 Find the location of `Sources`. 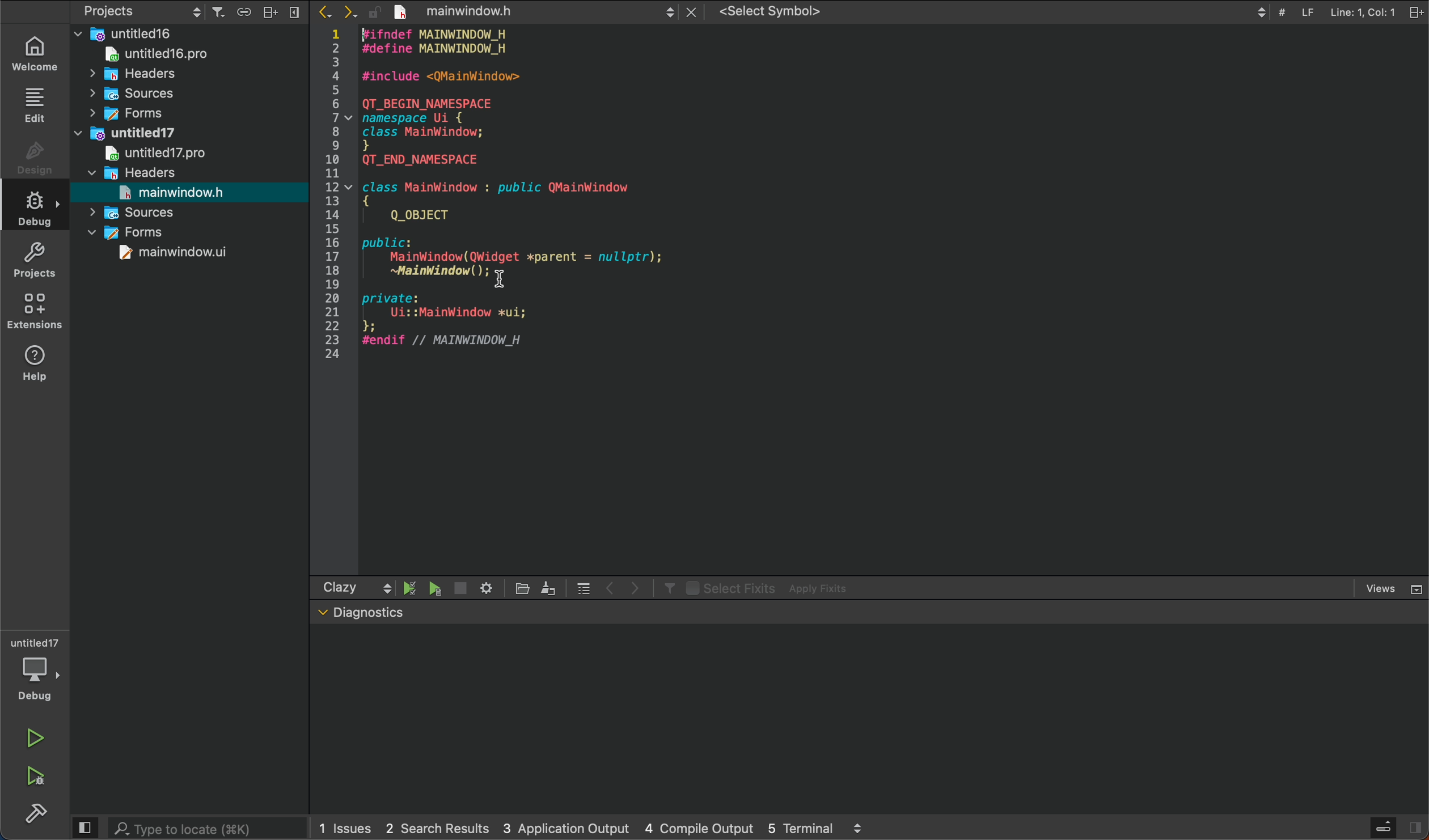

Sources is located at coordinates (137, 212).